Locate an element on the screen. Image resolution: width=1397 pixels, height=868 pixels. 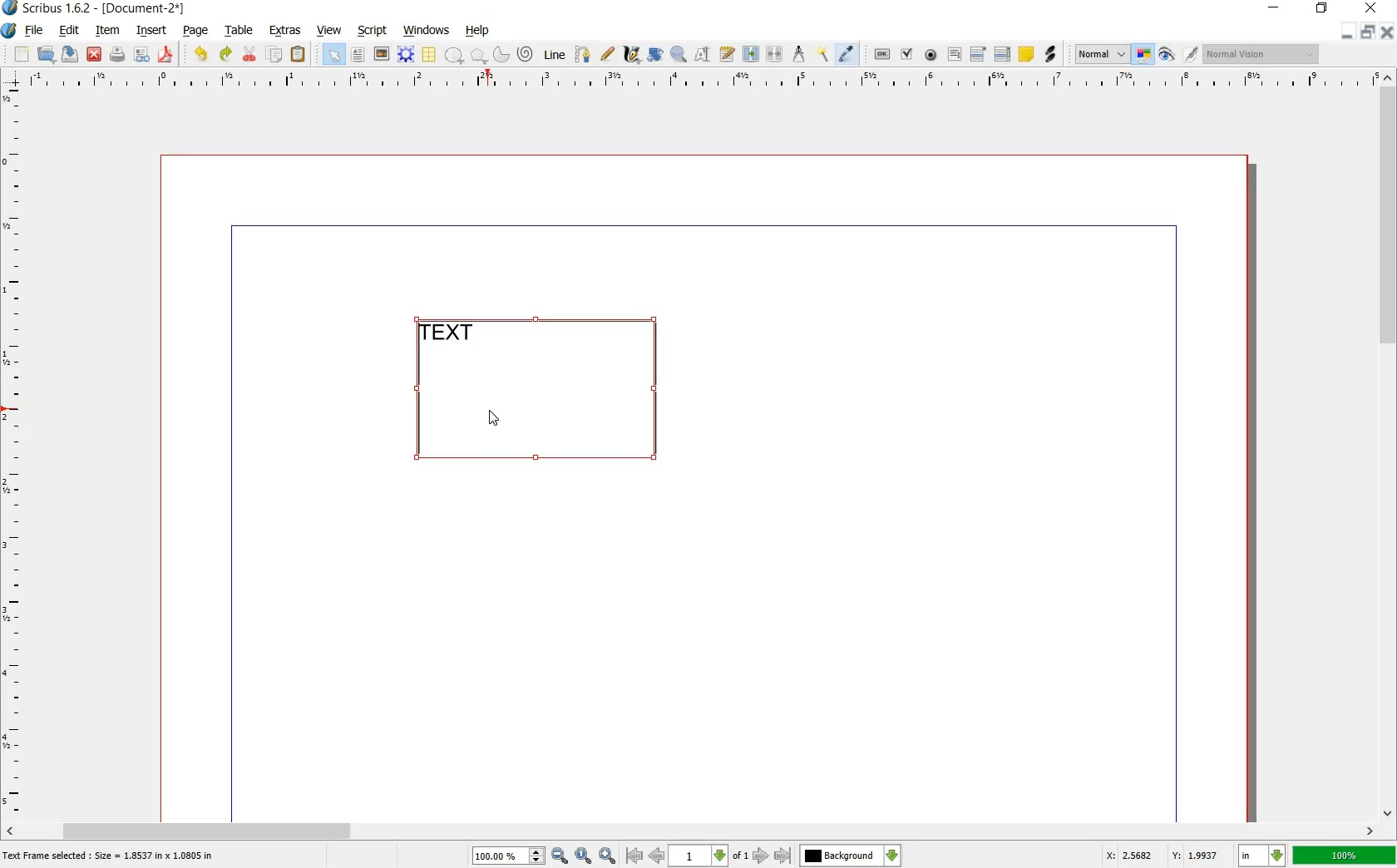
logo is located at coordinates (11, 9).